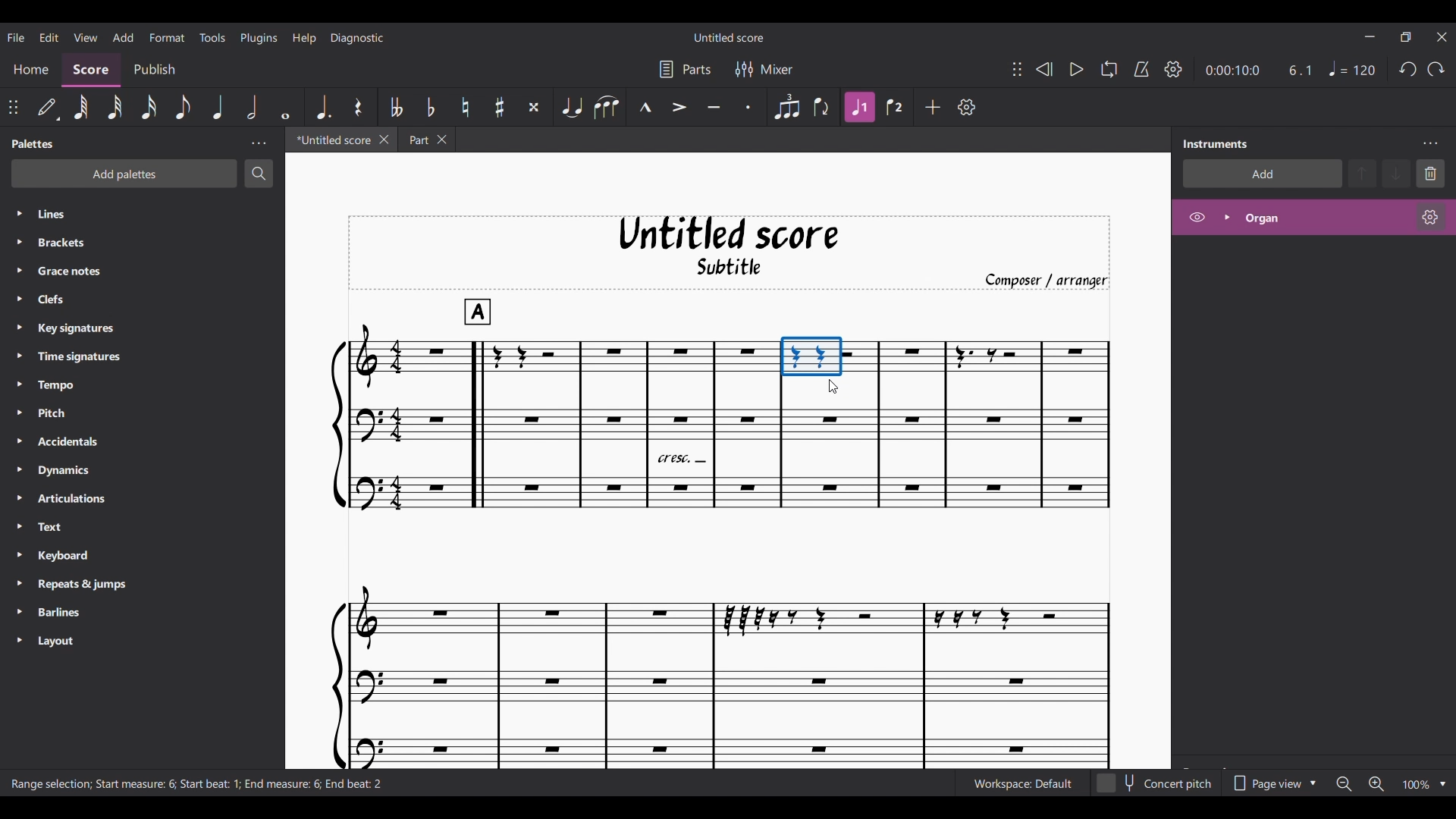 This screenshot has width=1456, height=819. I want to click on Hide Organ on score, so click(1197, 217).